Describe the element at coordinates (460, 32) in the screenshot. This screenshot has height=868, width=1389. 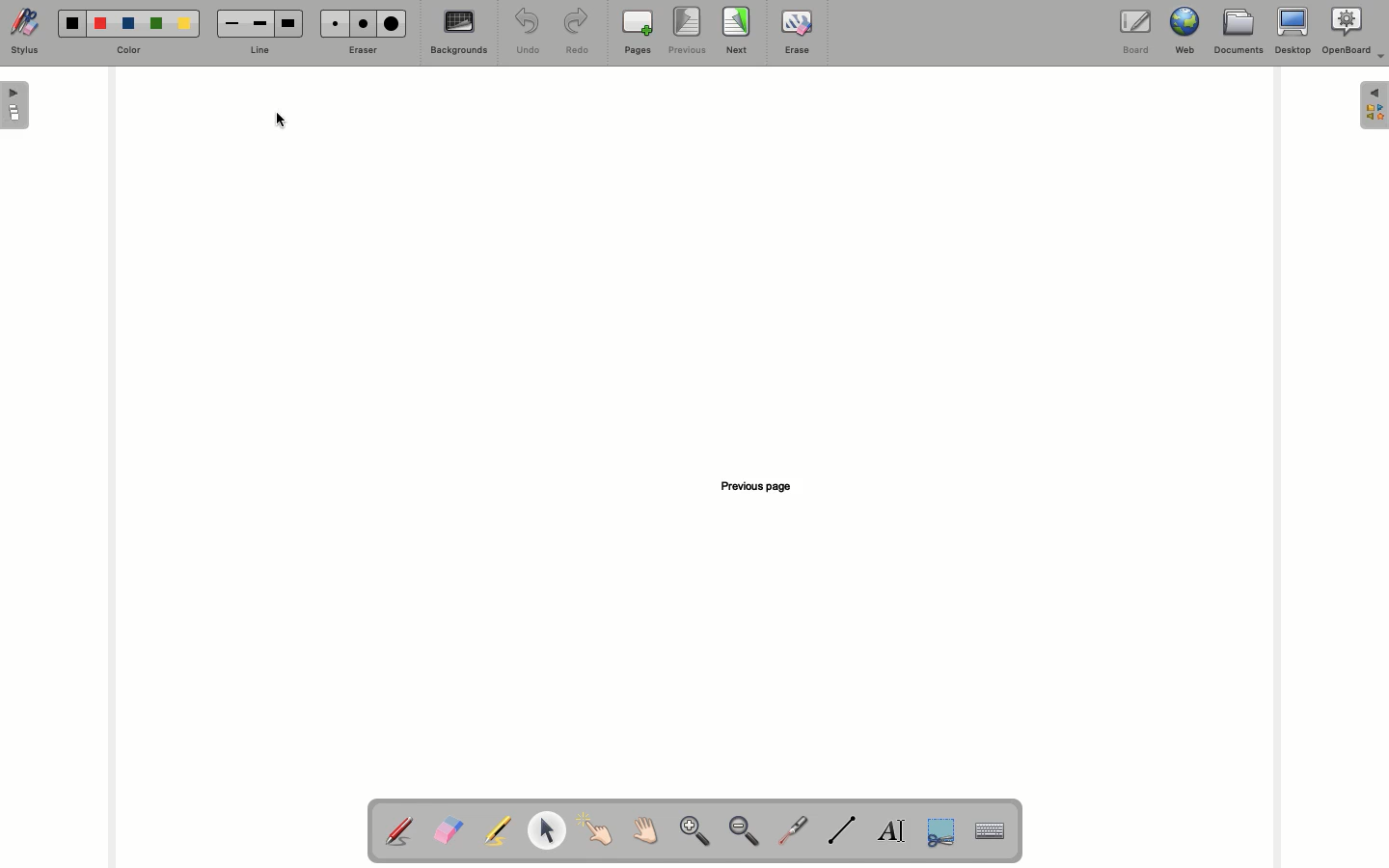
I see `Backgrounds` at that location.